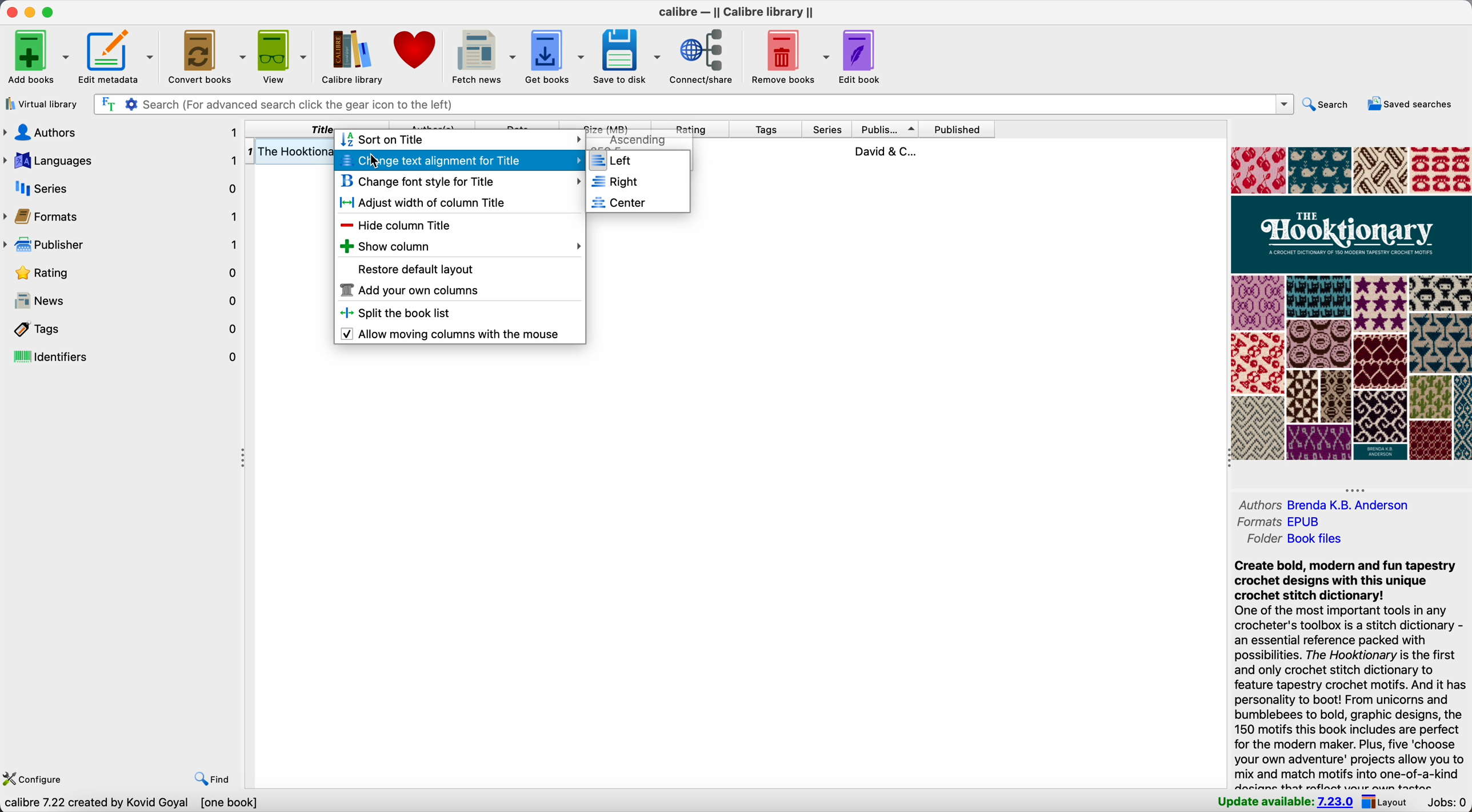  What do you see at coordinates (281, 57) in the screenshot?
I see `view` at bounding box center [281, 57].